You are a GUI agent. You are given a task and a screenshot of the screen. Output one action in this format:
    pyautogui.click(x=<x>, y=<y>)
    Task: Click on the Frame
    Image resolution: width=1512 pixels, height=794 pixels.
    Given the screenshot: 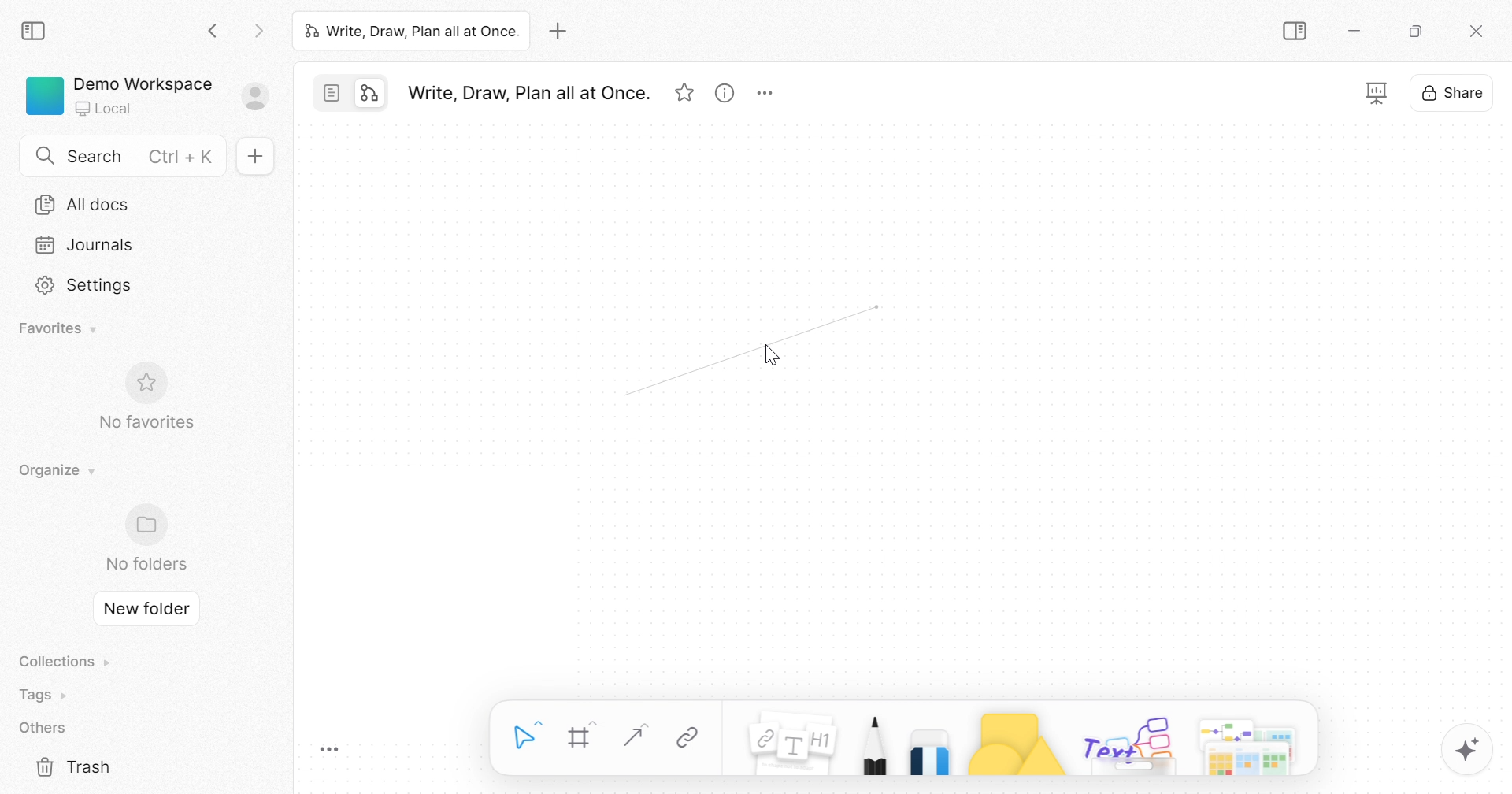 What is the action you would take?
    pyautogui.click(x=581, y=737)
    